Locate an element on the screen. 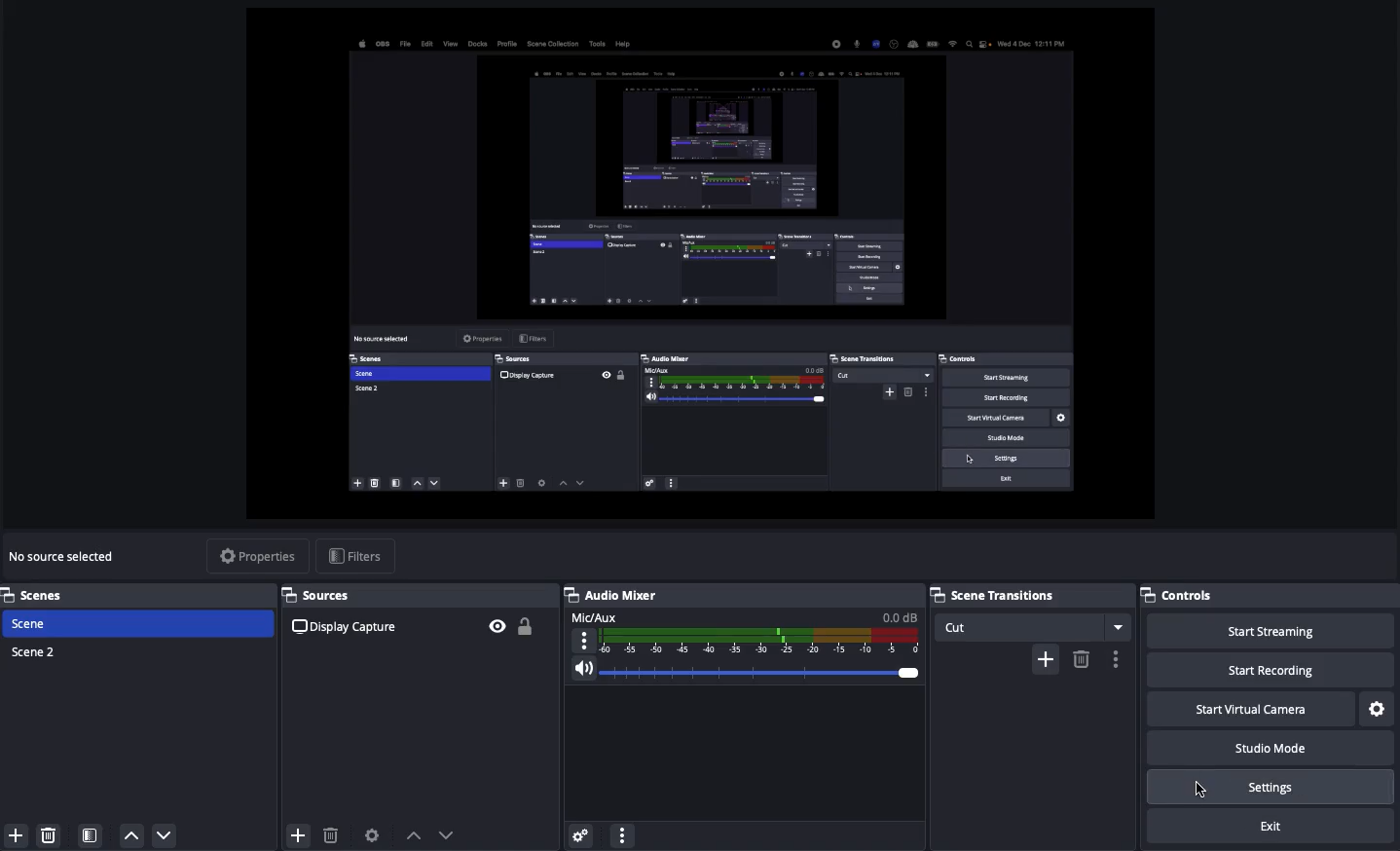 This screenshot has width=1400, height=851. Move up is located at coordinates (131, 836).